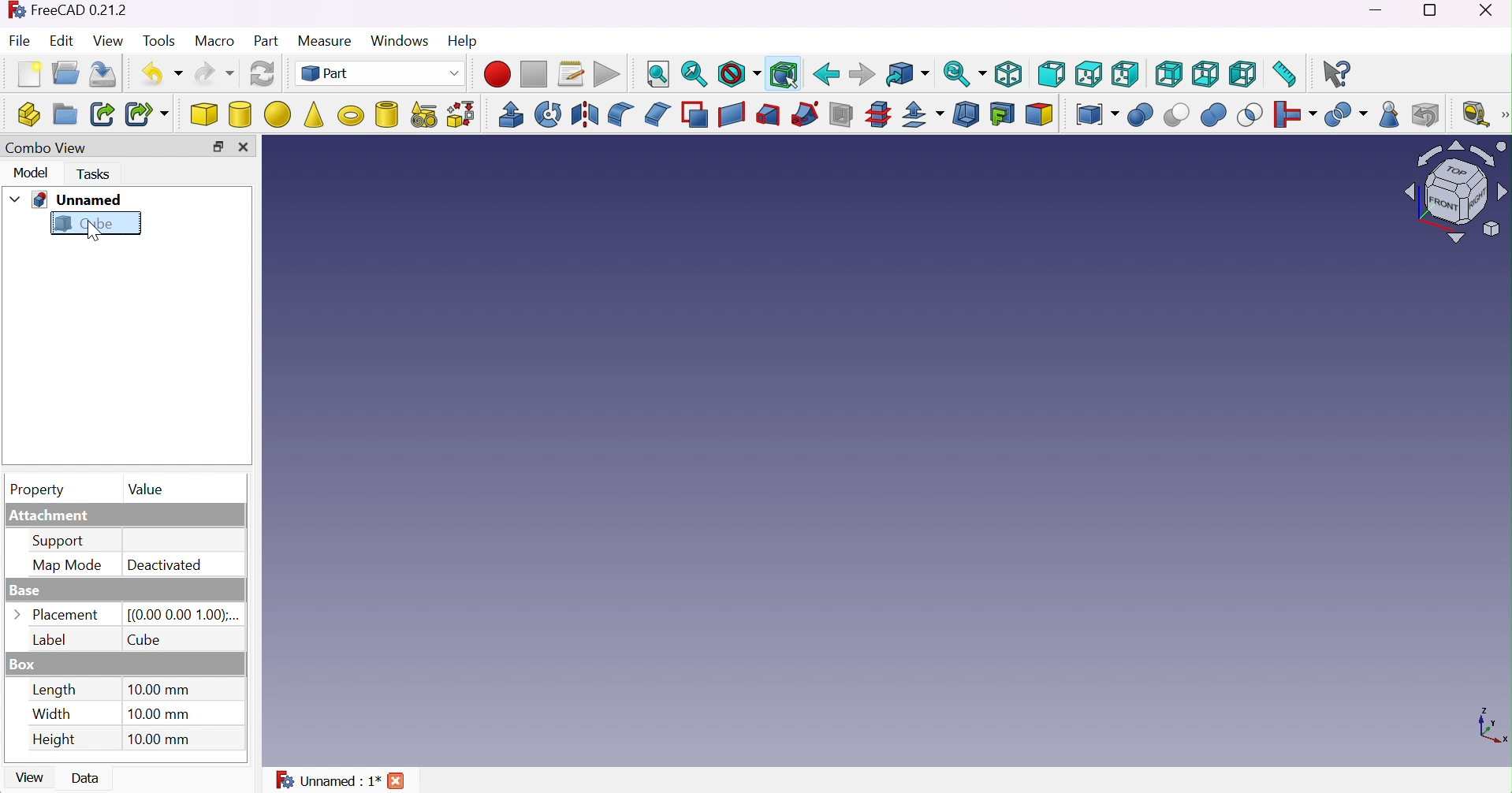 This screenshot has height=793, width=1512. What do you see at coordinates (330, 782) in the screenshot?
I see `Unnamed : 1*` at bounding box center [330, 782].